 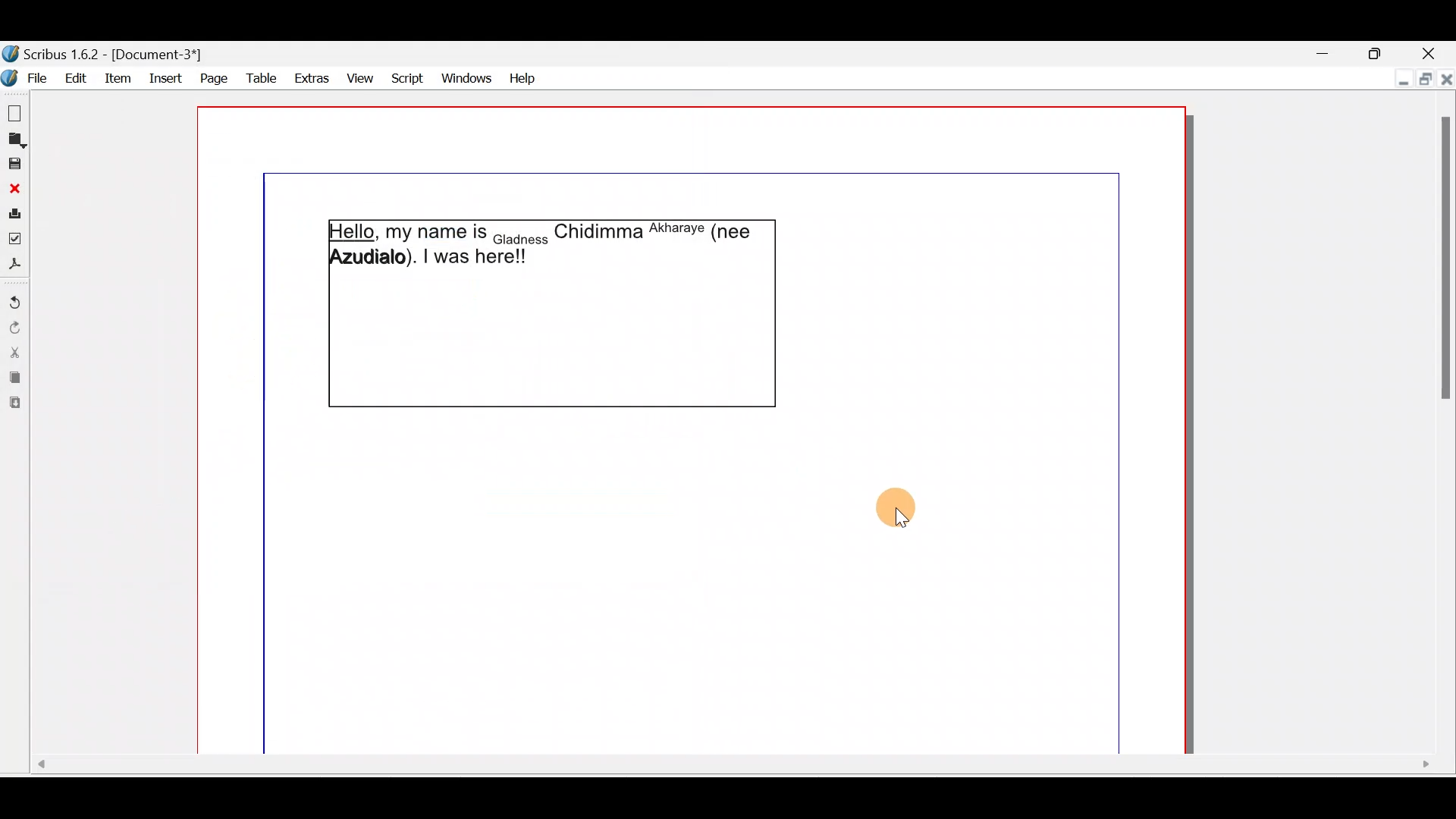 What do you see at coordinates (14, 265) in the screenshot?
I see `Save as PDF` at bounding box center [14, 265].